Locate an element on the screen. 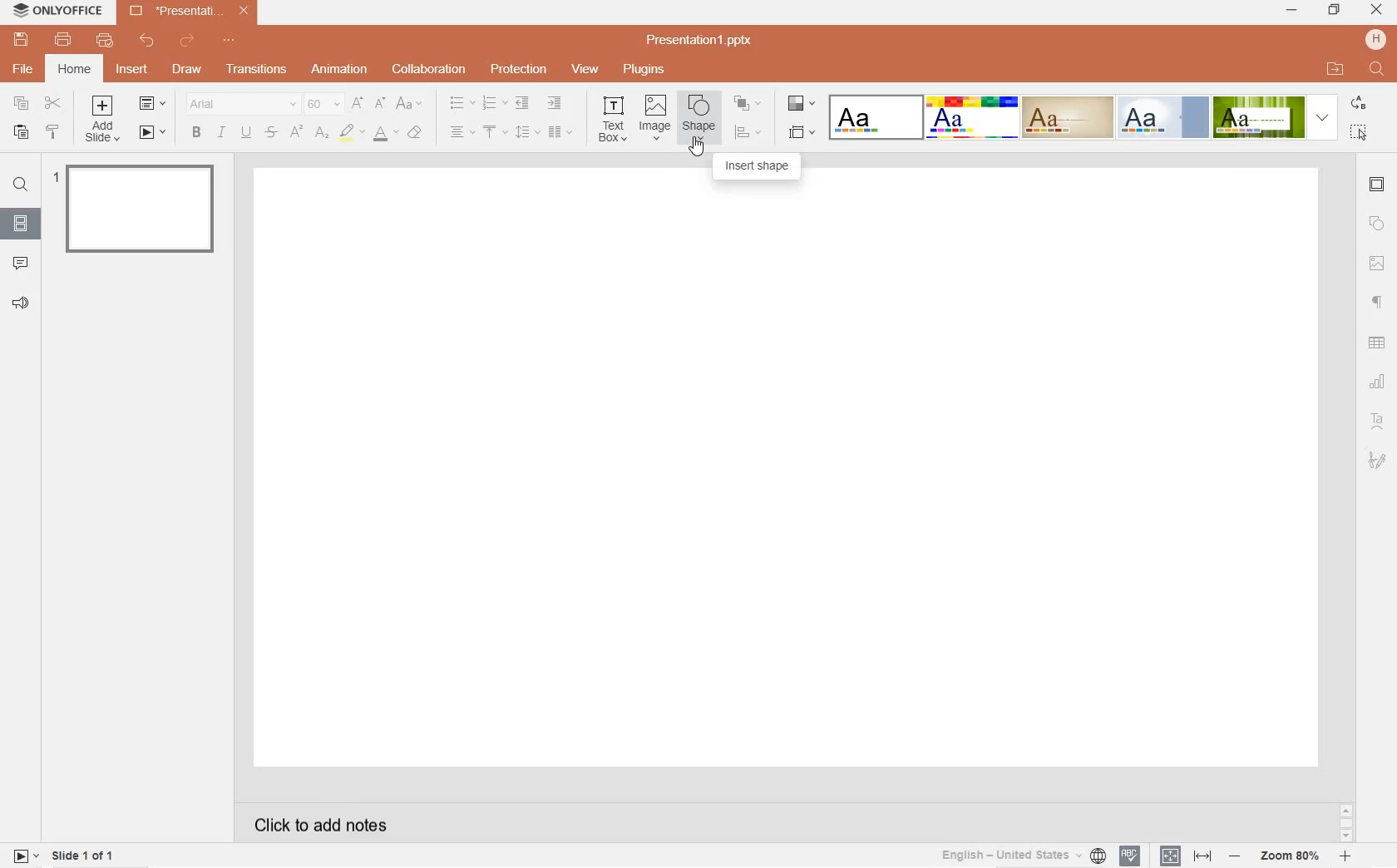 Image resolution: width=1397 pixels, height=868 pixels. OPEN FILE LOCATION is located at coordinates (1336, 69).